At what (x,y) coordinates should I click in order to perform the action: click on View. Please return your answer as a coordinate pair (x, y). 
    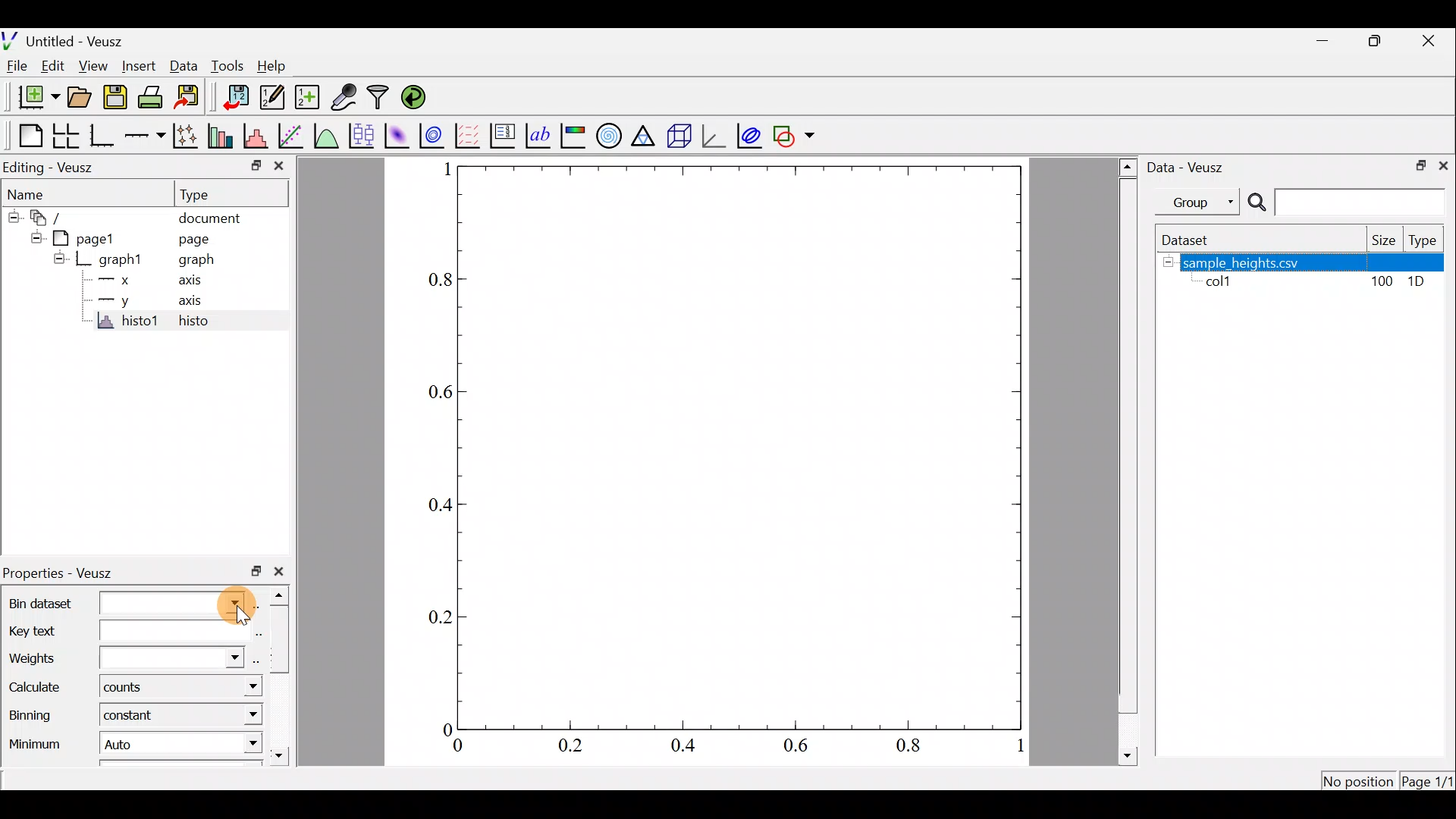
    Looking at the image, I should click on (93, 67).